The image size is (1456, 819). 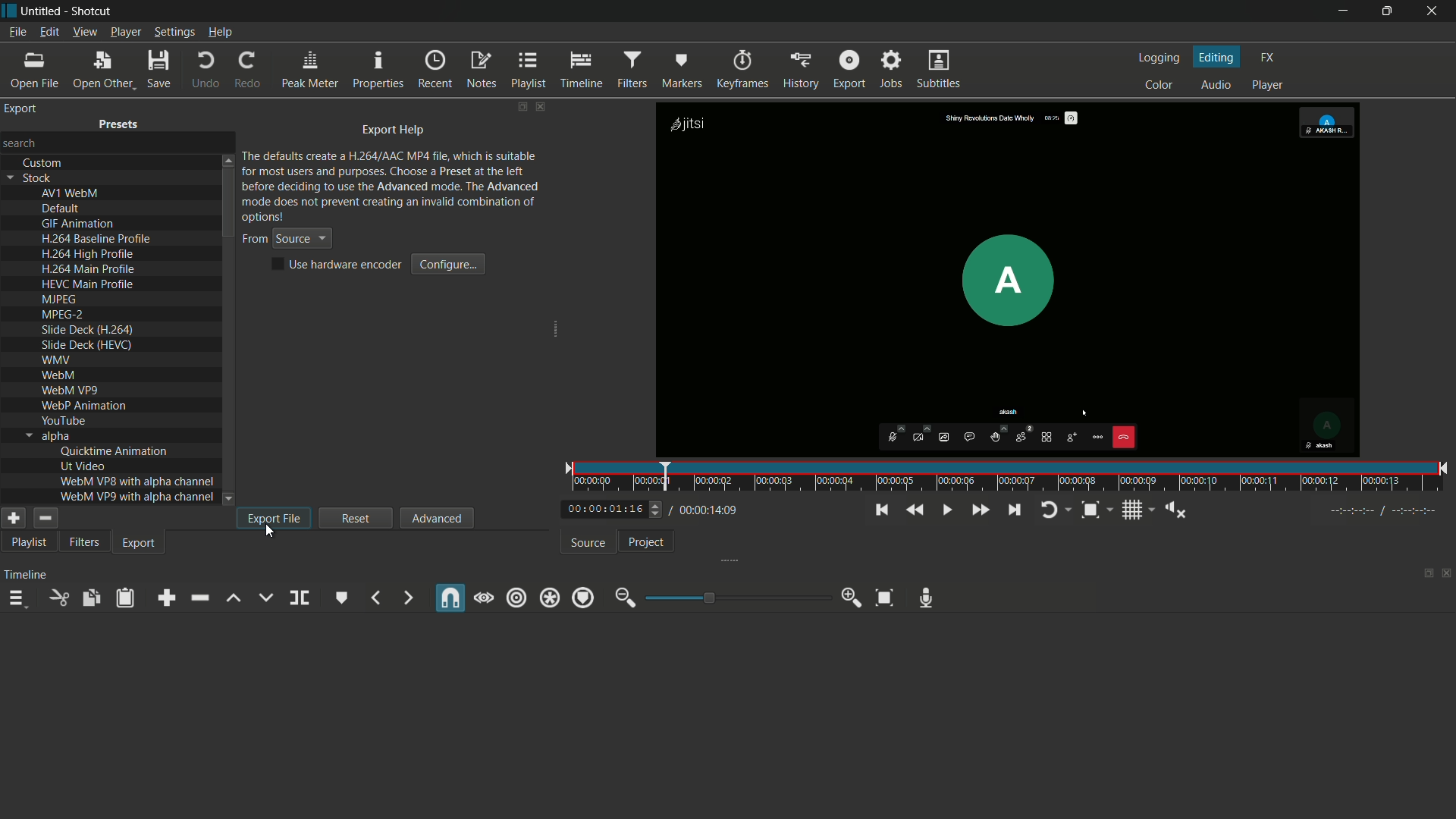 What do you see at coordinates (1050, 510) in the screenshot?
I see `toggle player looping` at bounding box center [1050, 510].